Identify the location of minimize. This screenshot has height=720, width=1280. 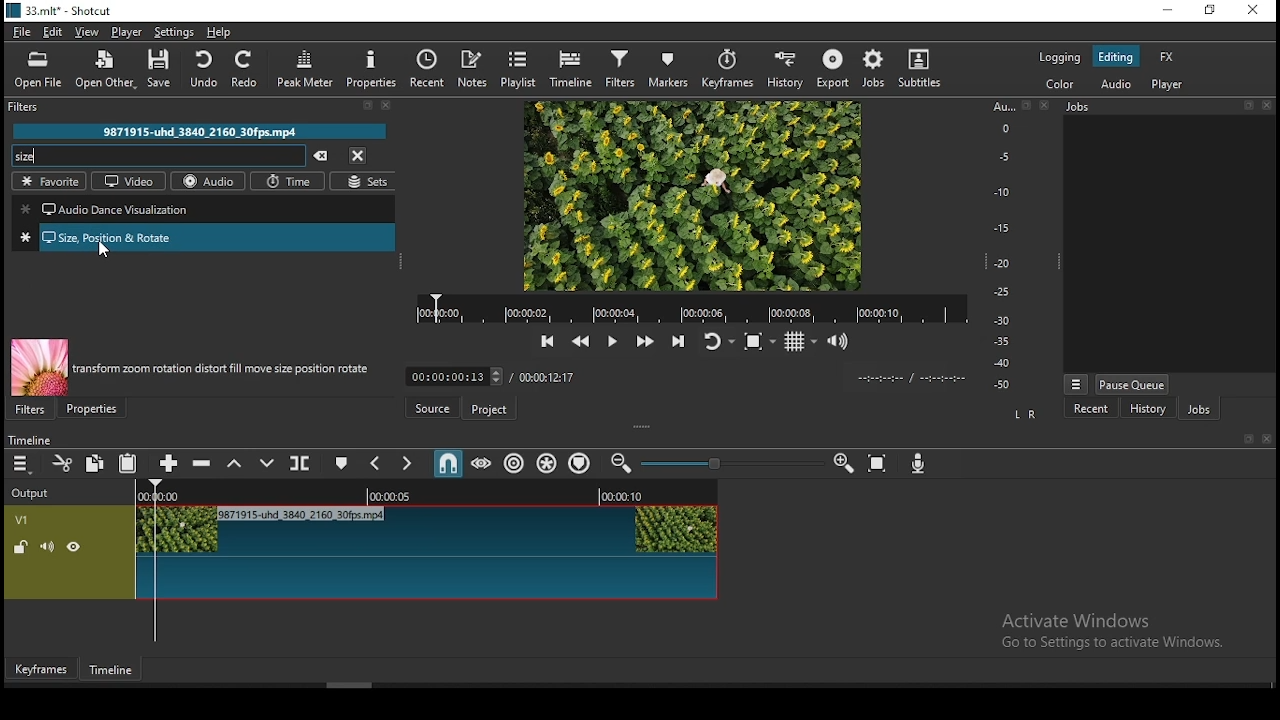
(1171, 11).